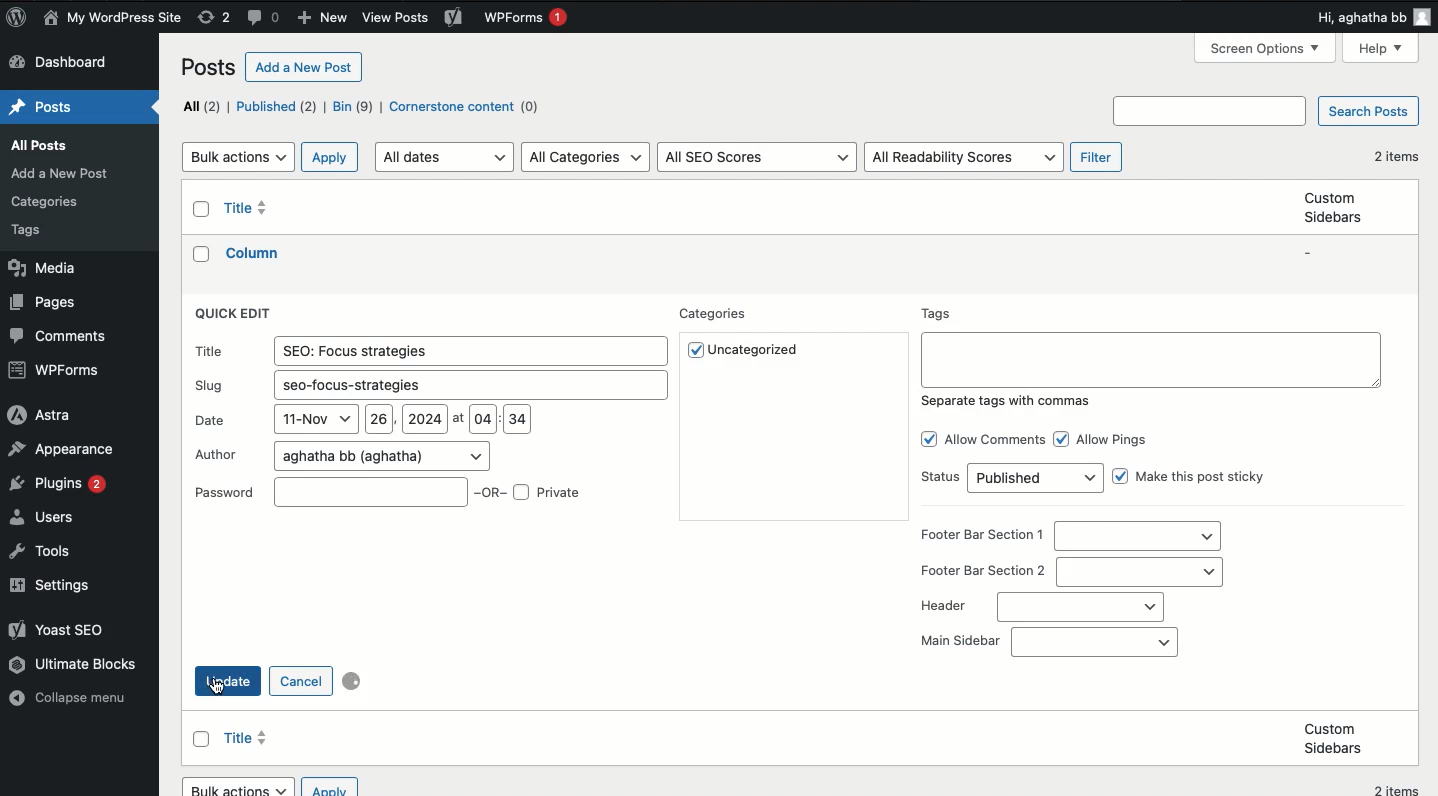  Describe the element at coordinates (115, 19) in the screenshot. I see `Name` at that location.